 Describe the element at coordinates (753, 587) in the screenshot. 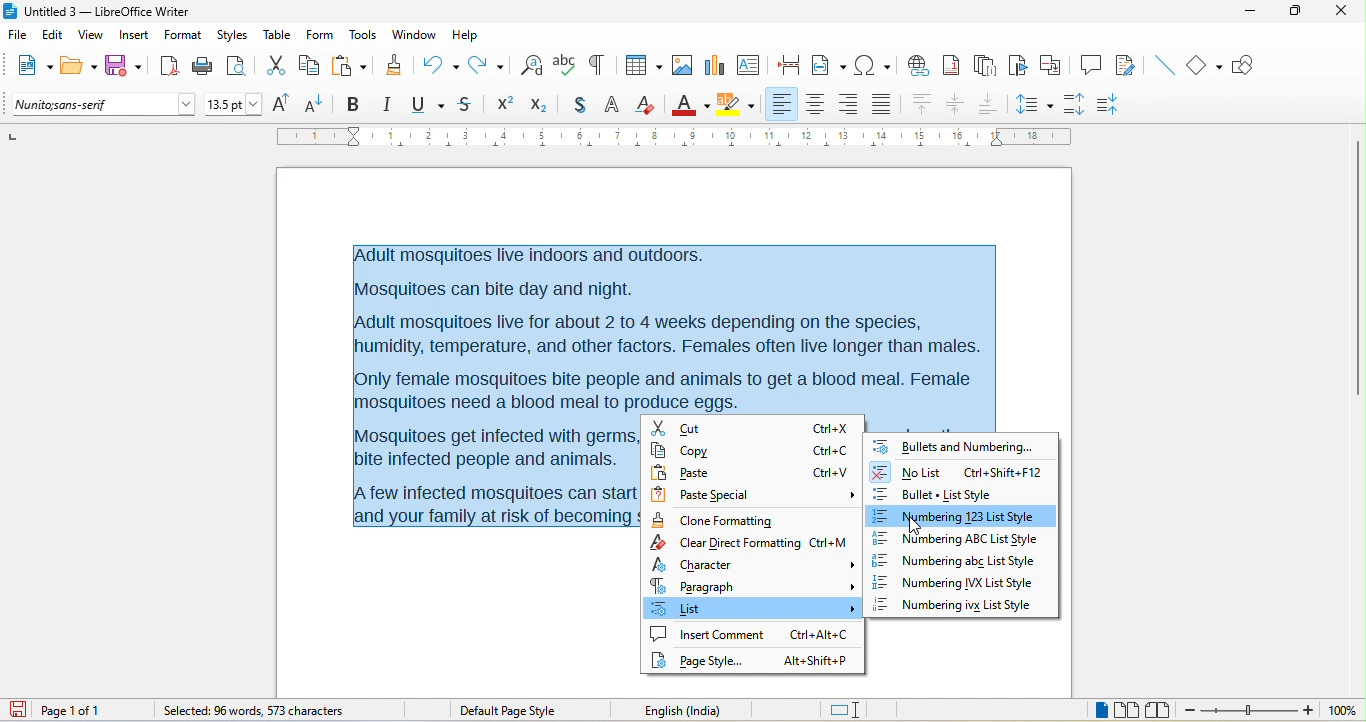

I see `paragraph` at that location.